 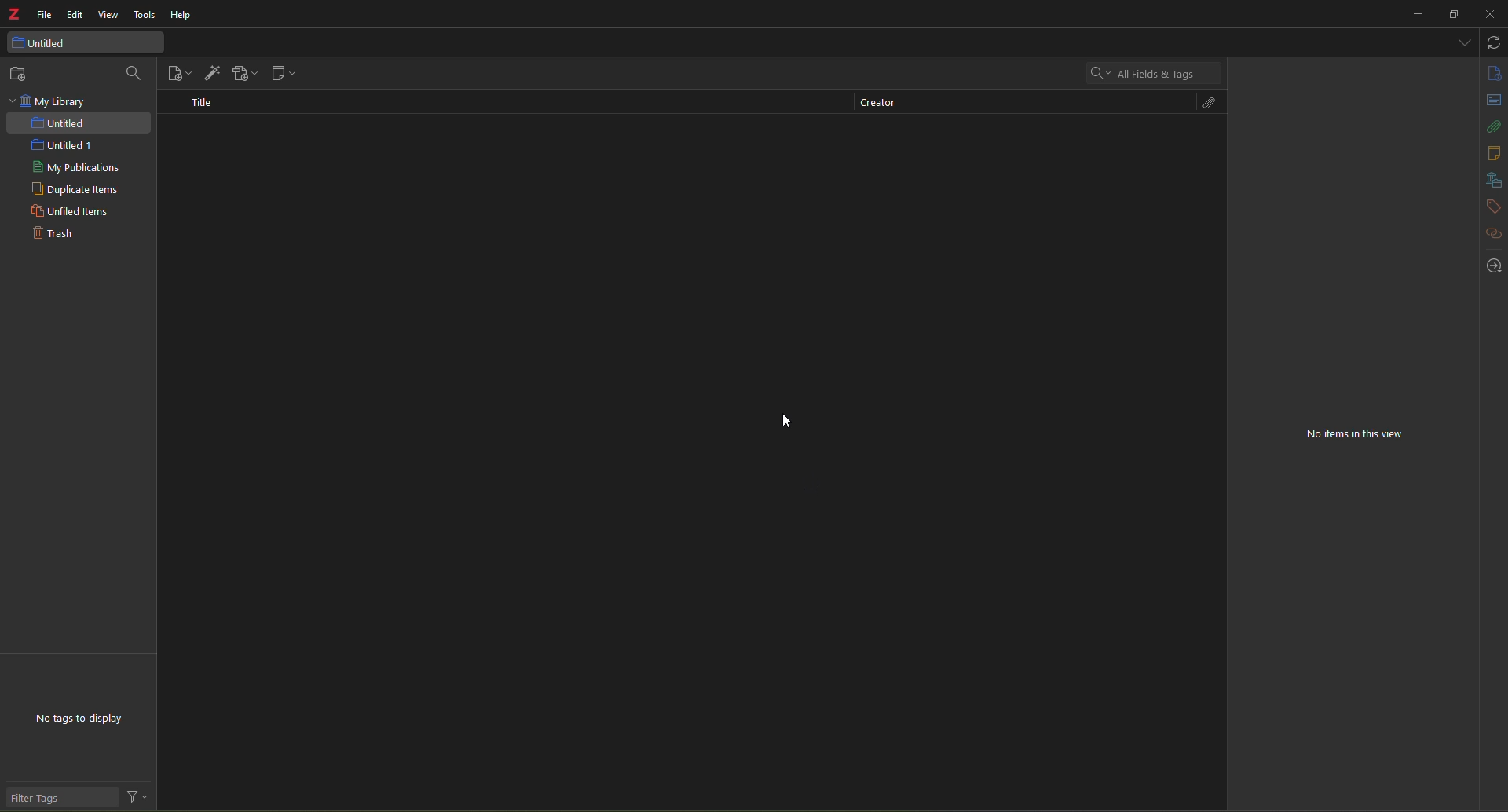 I want to click on attach, so click(x=1204, y=104).